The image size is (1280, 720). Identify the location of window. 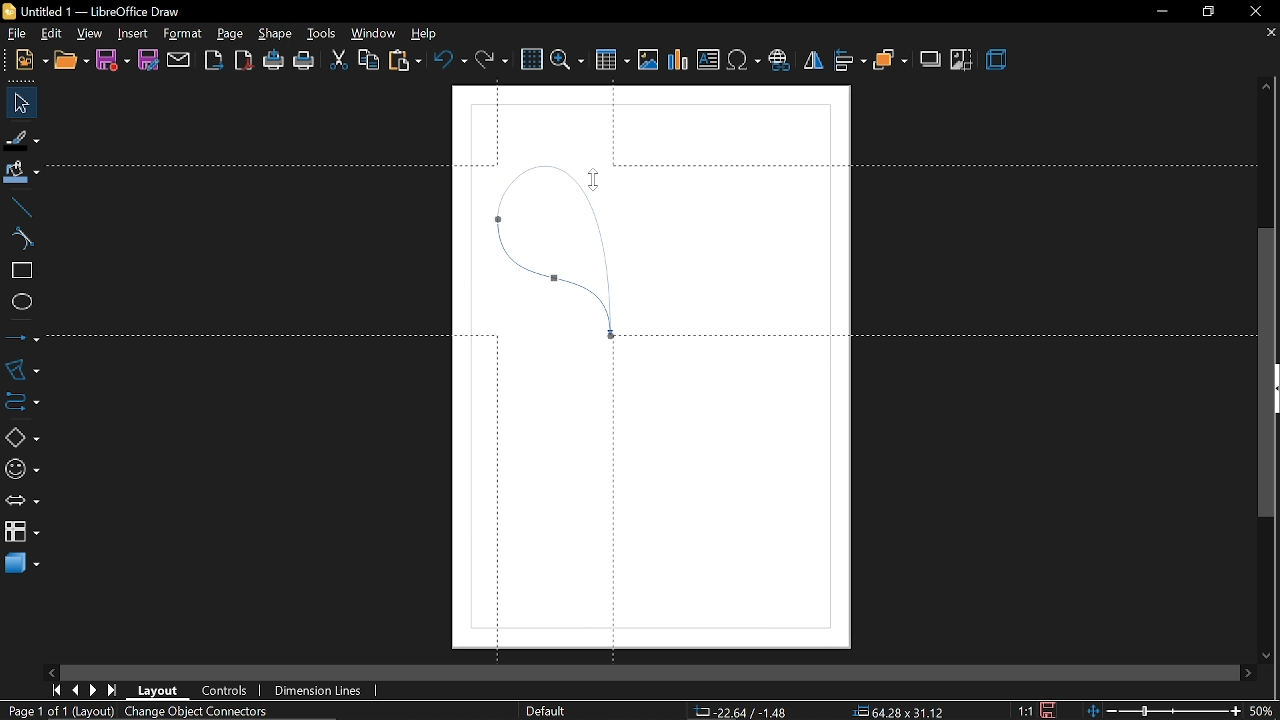
(371, 34).